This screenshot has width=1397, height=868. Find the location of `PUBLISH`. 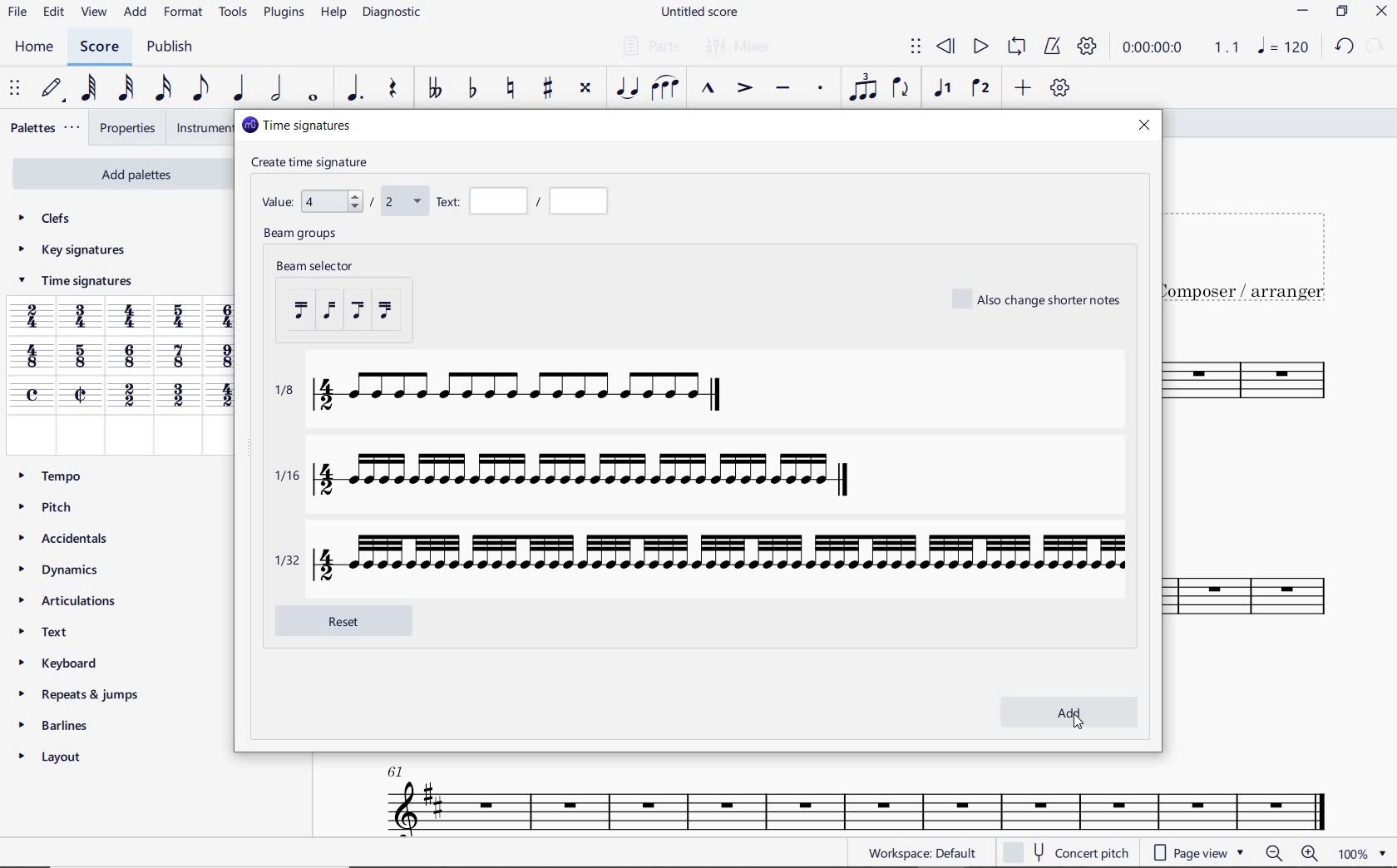

PUBLISH is located at coordinates (173, 47).